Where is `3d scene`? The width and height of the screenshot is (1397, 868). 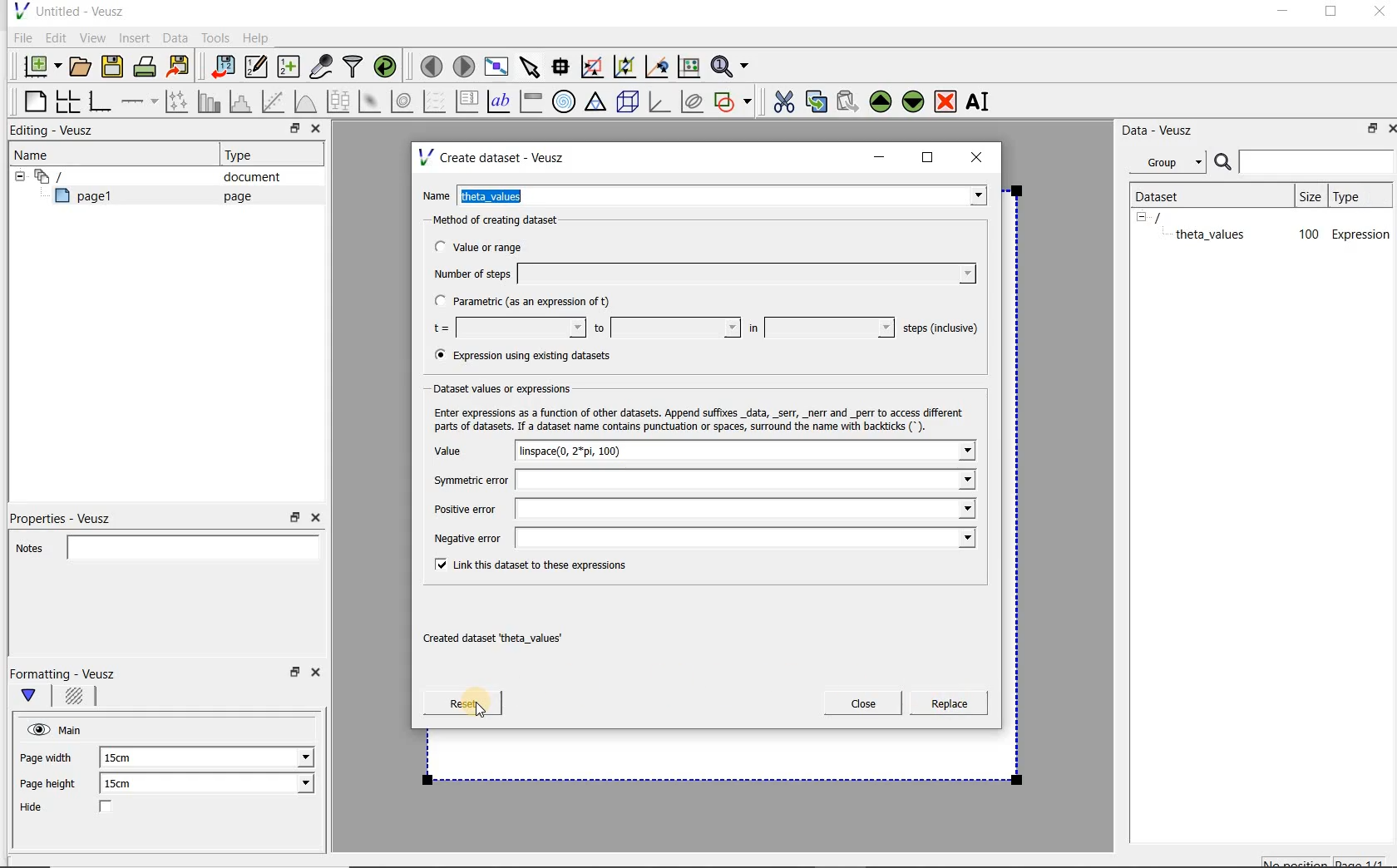 3d scene is located at coordinates (629, 103).